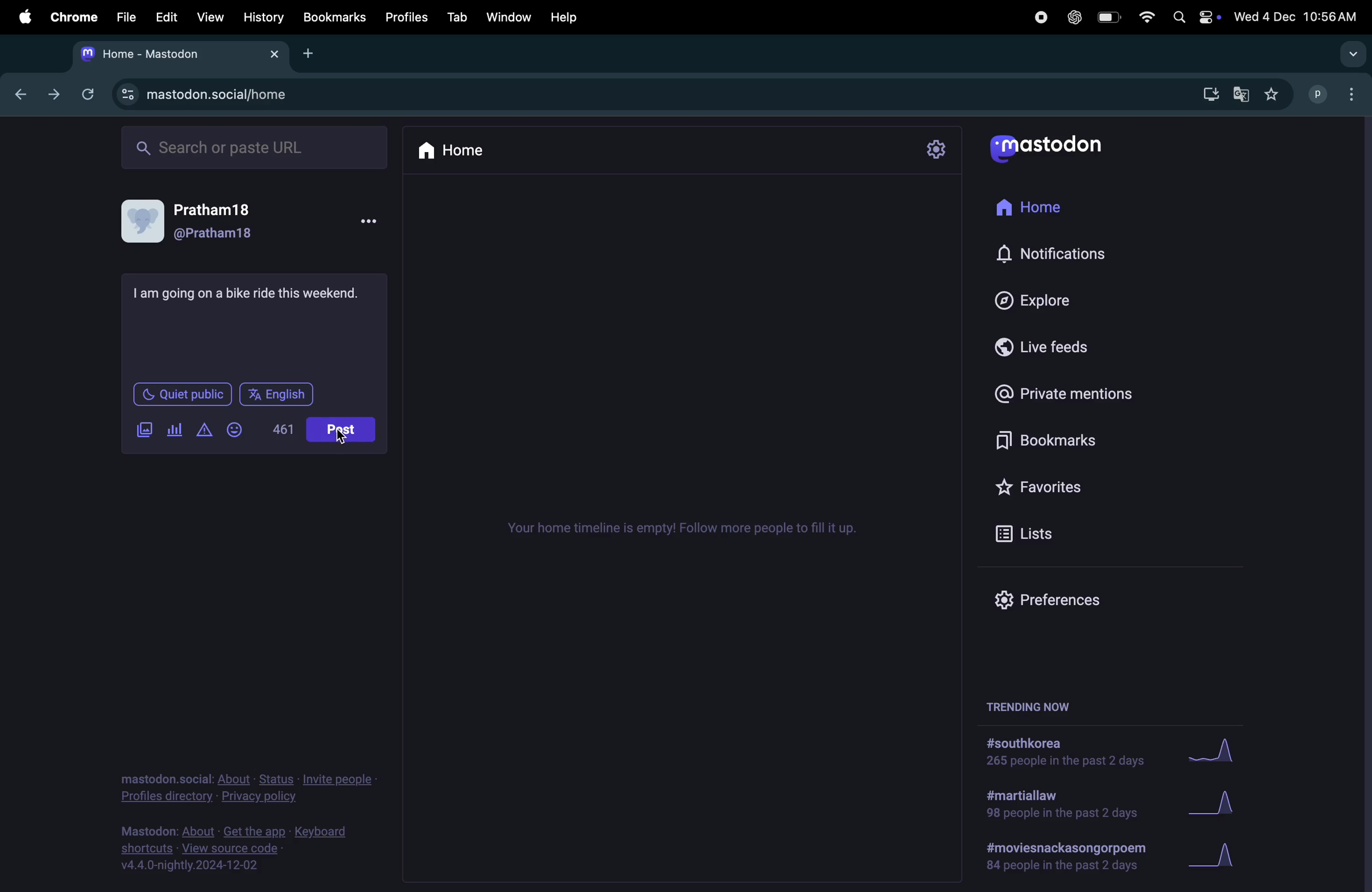 The image size is (1372, 892). What do you see at coordinates (1195, 16) in the screenshot?
I see `apple widgets` at bounding box center [1195, 16].